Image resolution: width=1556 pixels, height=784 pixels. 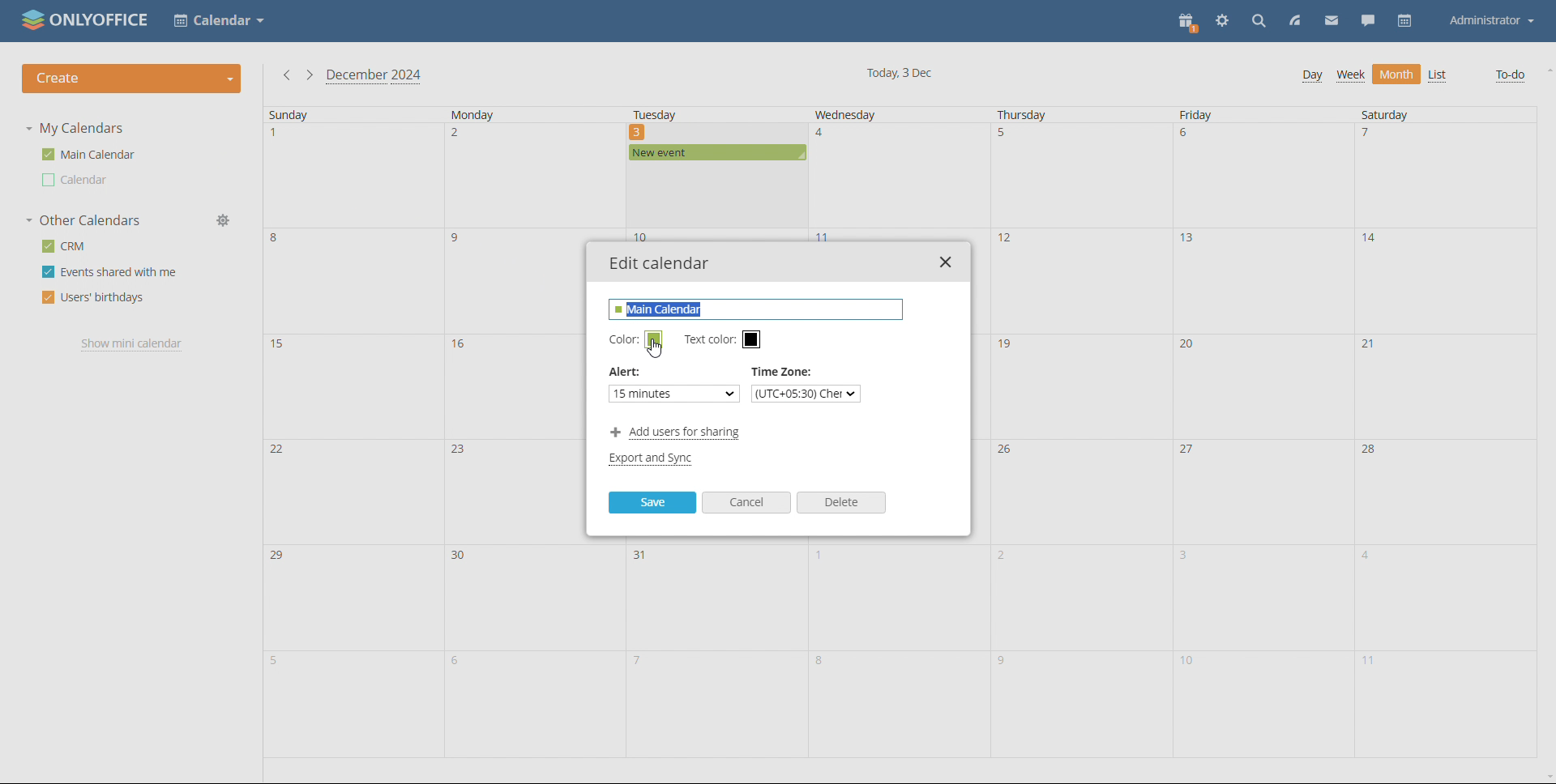 I want to click on date, so click(x=1446, y=705).